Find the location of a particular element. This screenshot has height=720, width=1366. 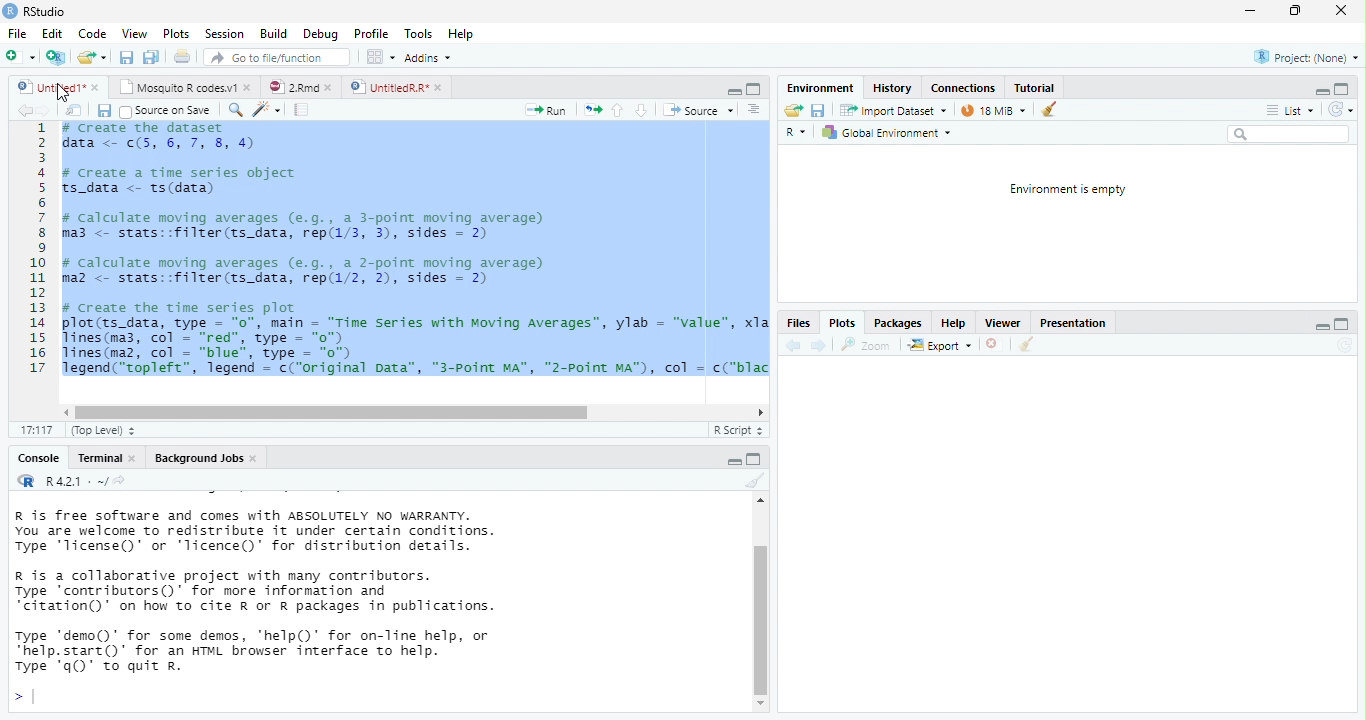

Run is located at coordinates (547, 111).